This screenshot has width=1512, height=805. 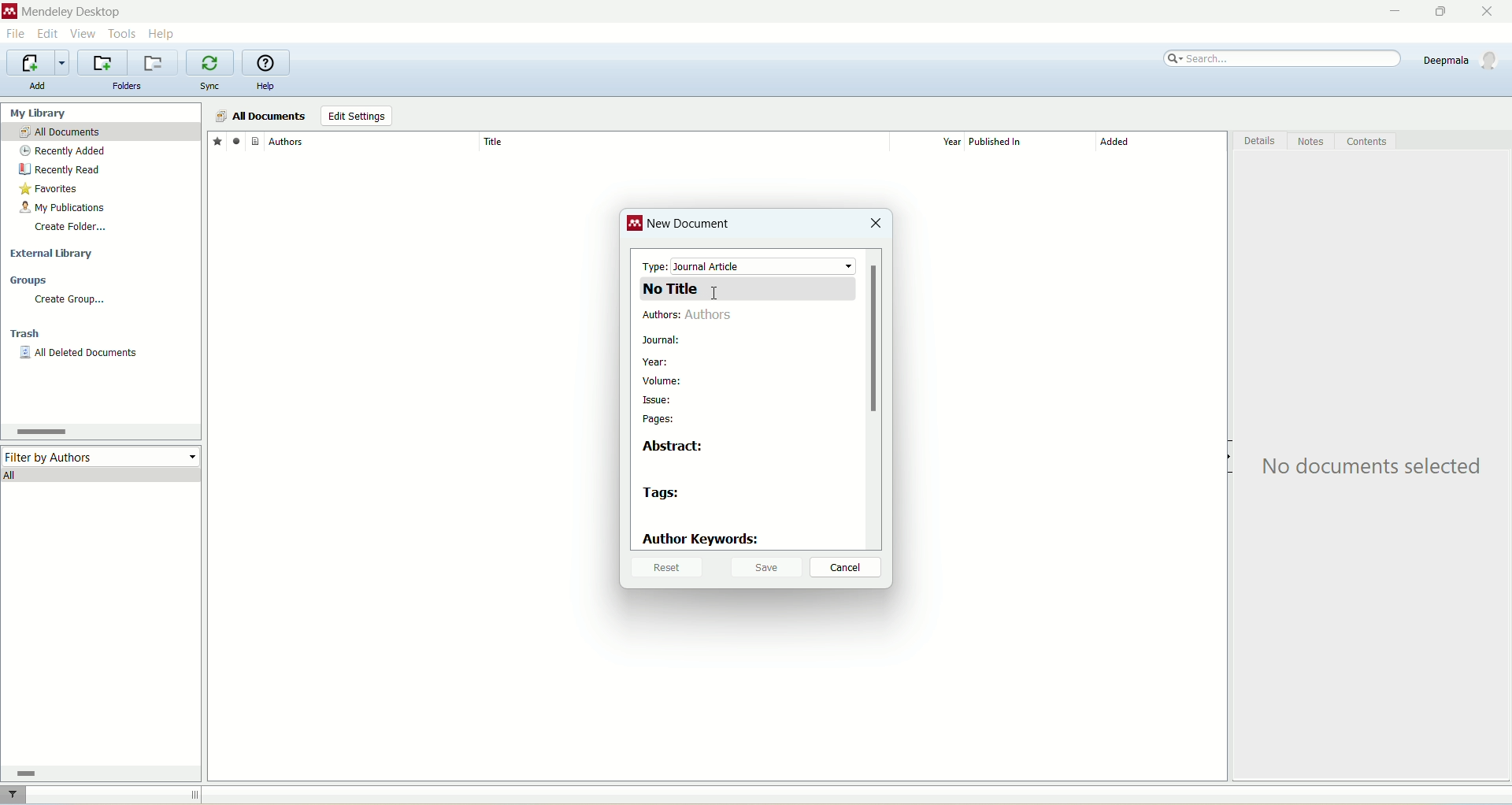 What do you see at coordinates (932, 142) in the screenshot?
I see `year` at bounding box center [932, 142].